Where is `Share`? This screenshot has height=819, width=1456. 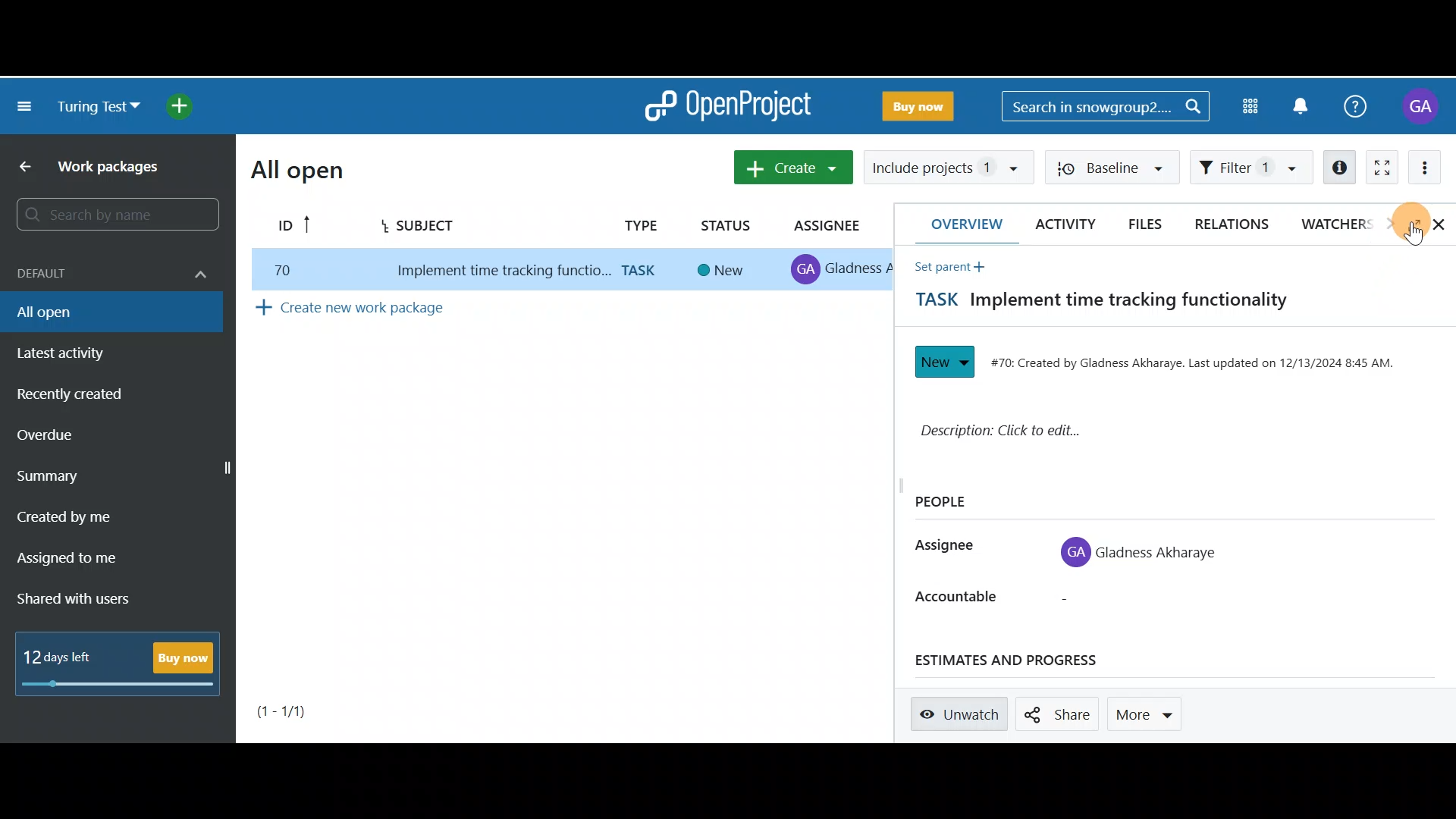 Share is located at coordinates (1056, 711).